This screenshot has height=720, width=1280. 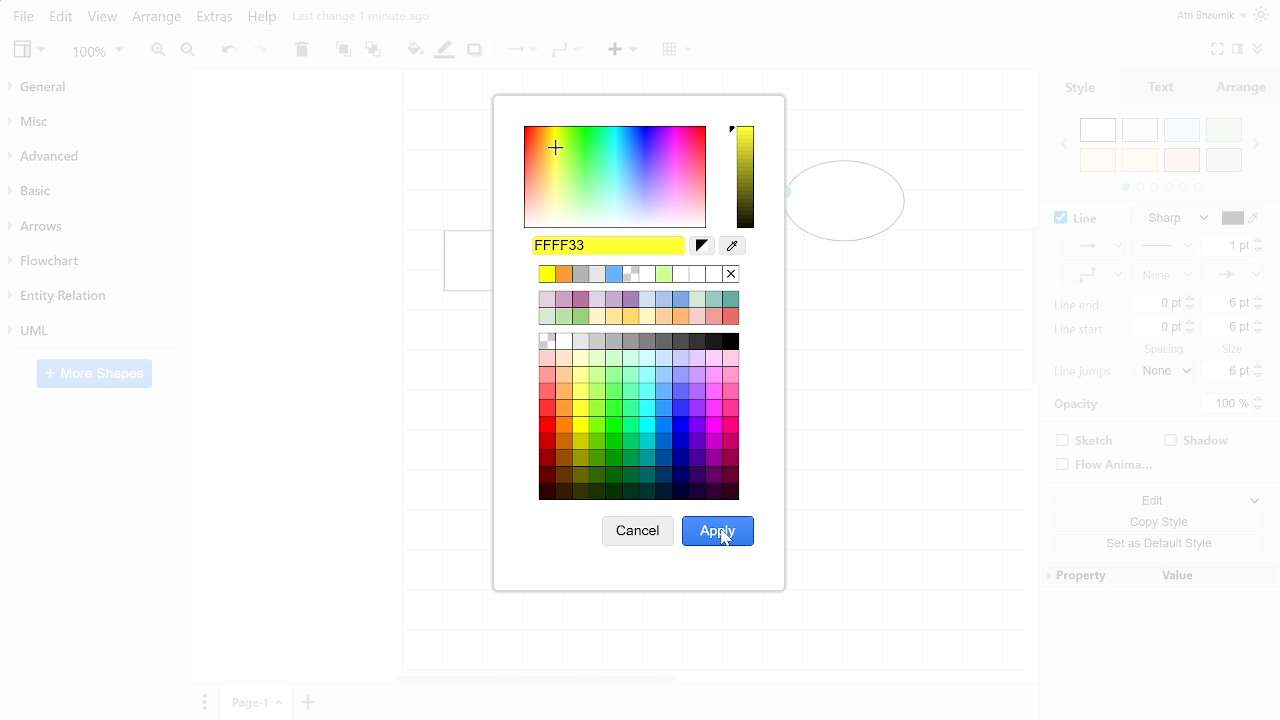 What do you see at coordinates (639, 531) in the screenshot?
I see `Cancel` at bounding box center [639, 531].